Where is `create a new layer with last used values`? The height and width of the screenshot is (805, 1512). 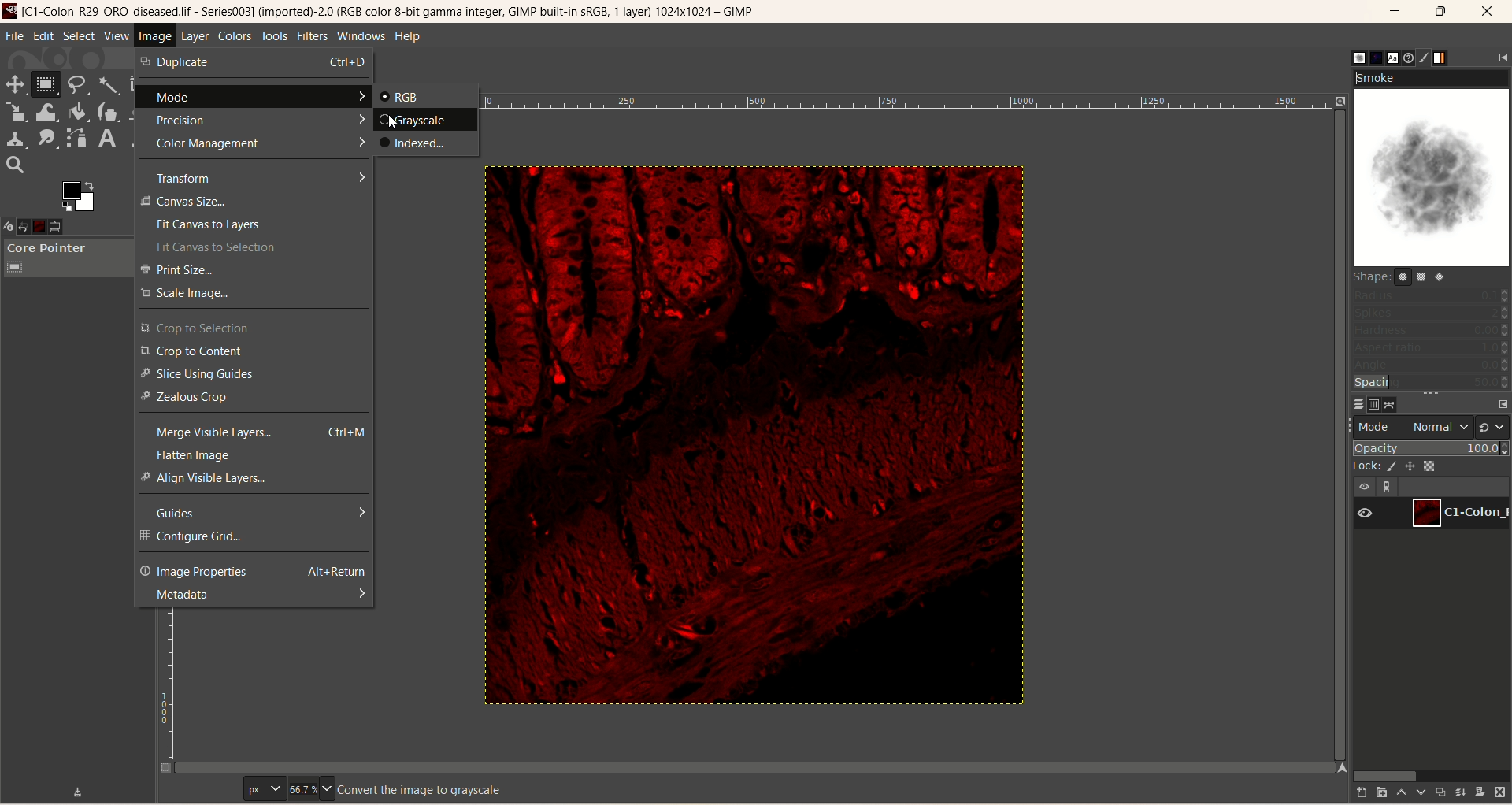 create a new layer with last used values is located at coordinates (1362, 794).